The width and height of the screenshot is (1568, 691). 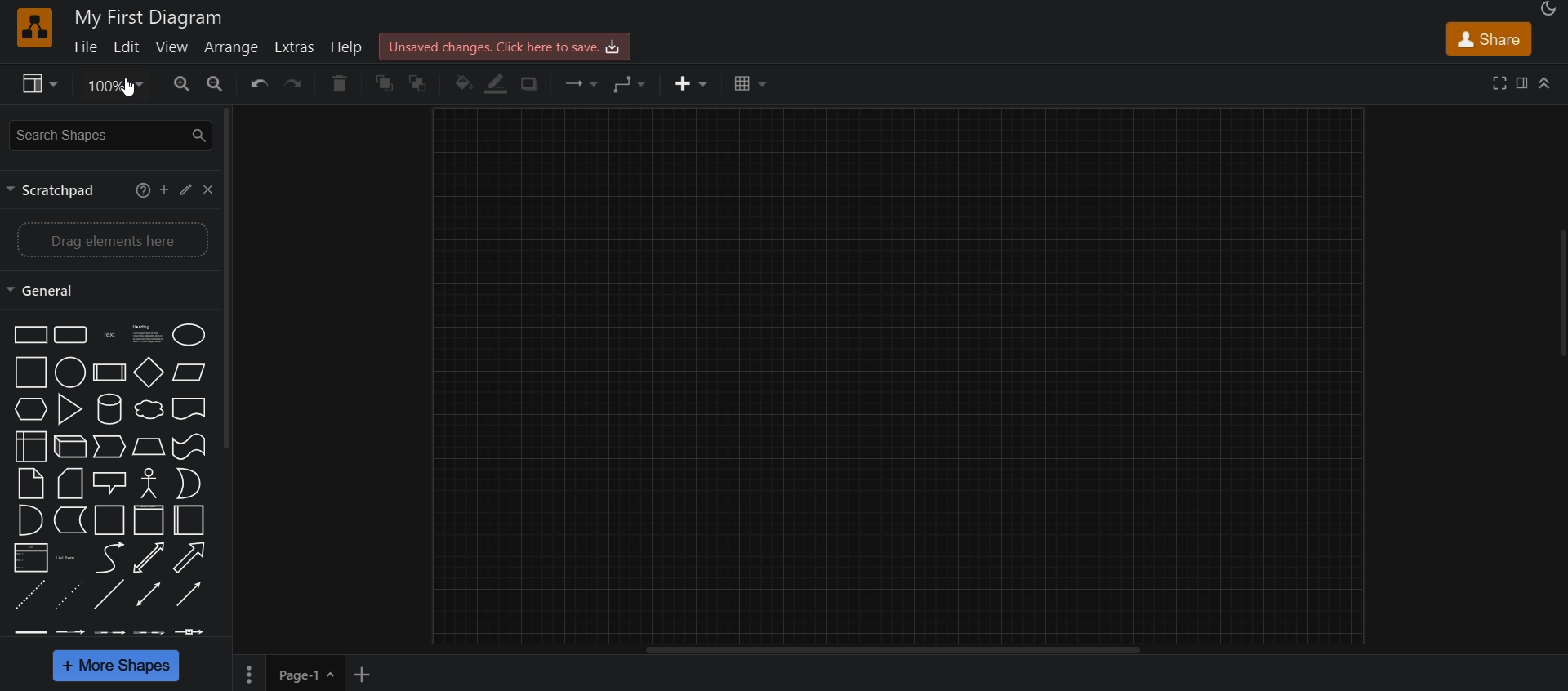 I want to click on table, so click(x=750, y=86).